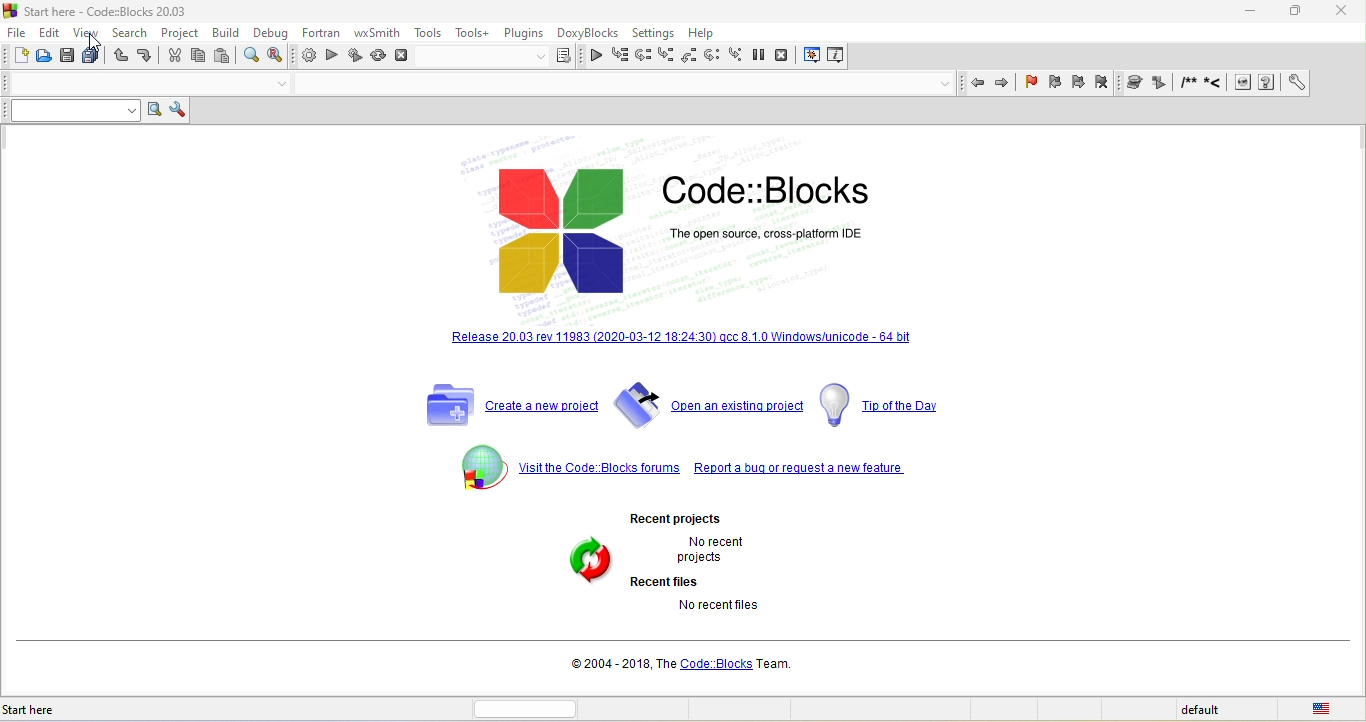 The height and width of the screenshot is (722, 1366). Describe the element at coordinates (734, 56) in the screenshot. I see `step into instruction` at that location.